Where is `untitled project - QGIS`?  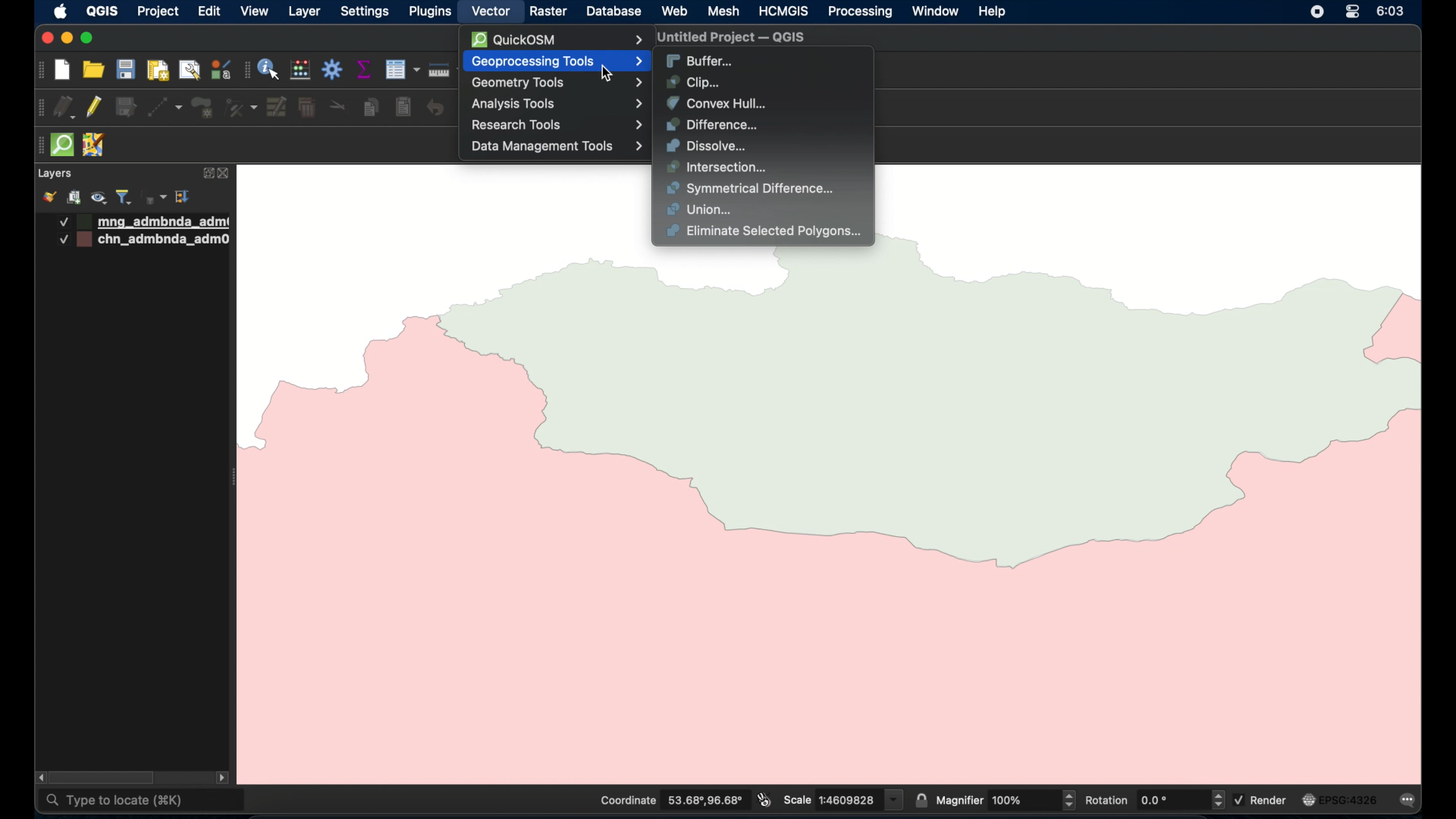 untitled project - QGIS is located at coordinates (727, 39).